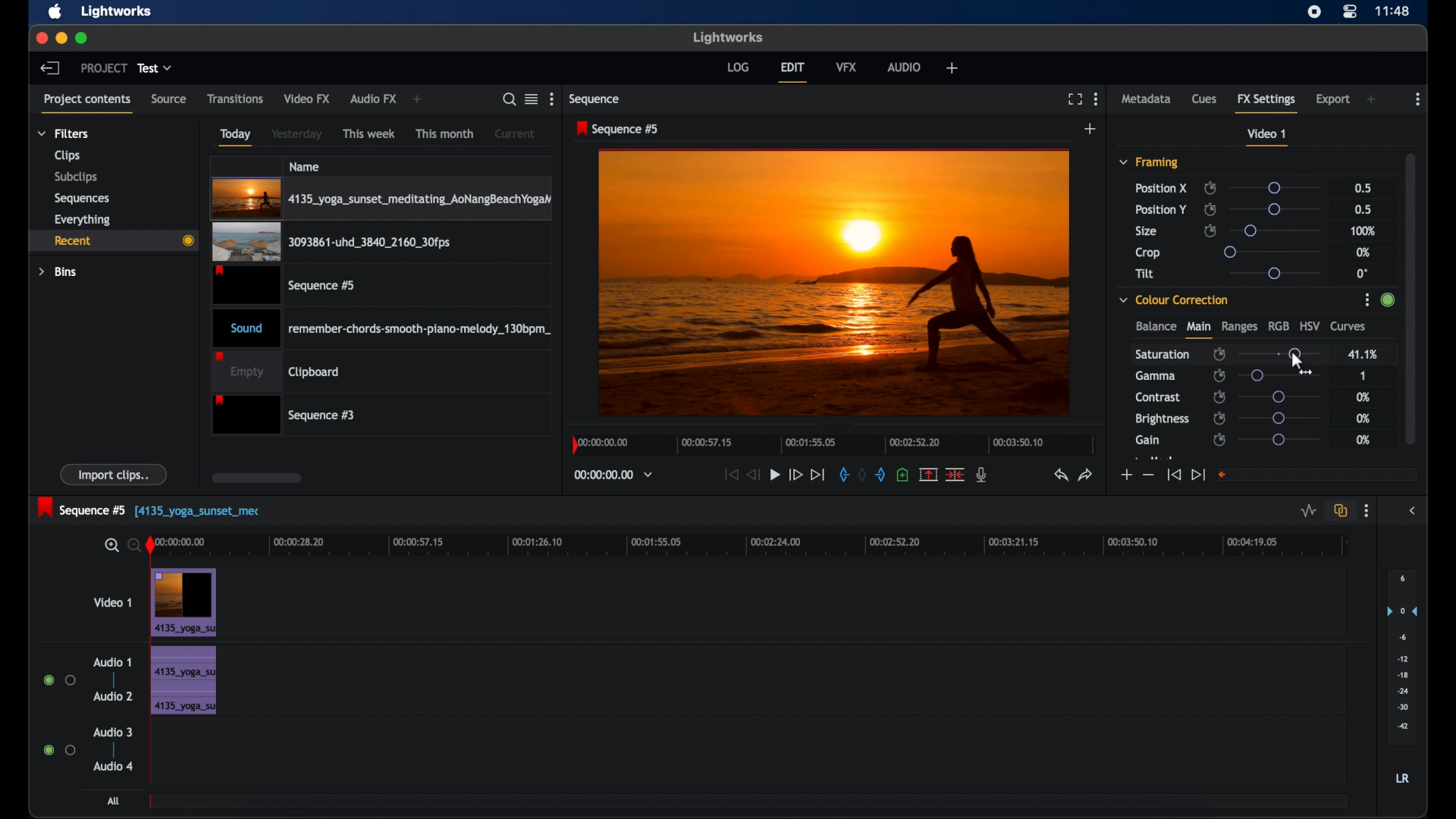  Describe the element at coordinates (1220, 397) in the screenshot. I see `enable/disable keyframes` at that location.